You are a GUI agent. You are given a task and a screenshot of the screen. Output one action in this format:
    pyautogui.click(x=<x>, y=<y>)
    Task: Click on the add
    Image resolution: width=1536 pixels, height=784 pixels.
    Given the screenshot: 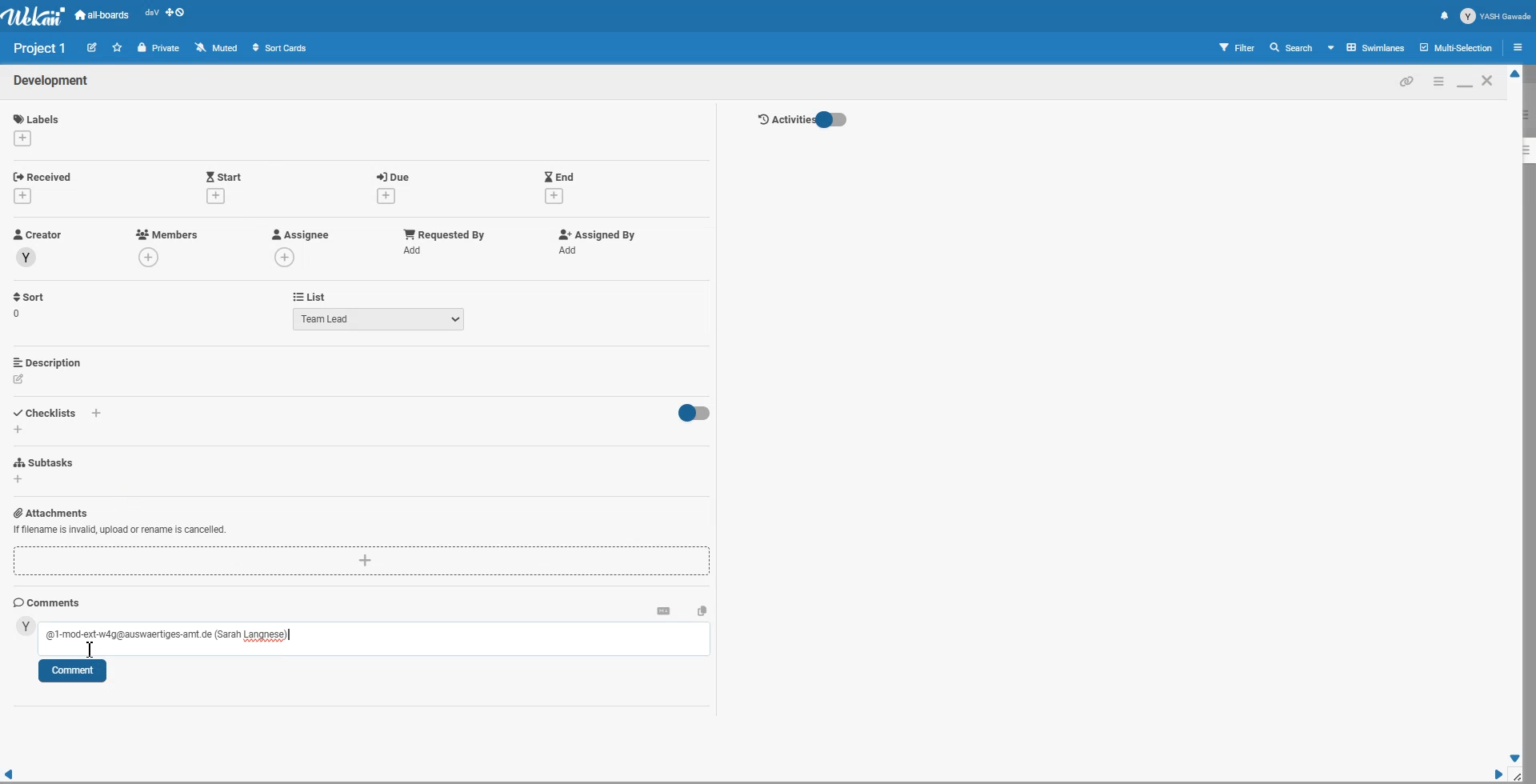 What is the action you would take?
    pyautogui.click(x=215, y=195)
    